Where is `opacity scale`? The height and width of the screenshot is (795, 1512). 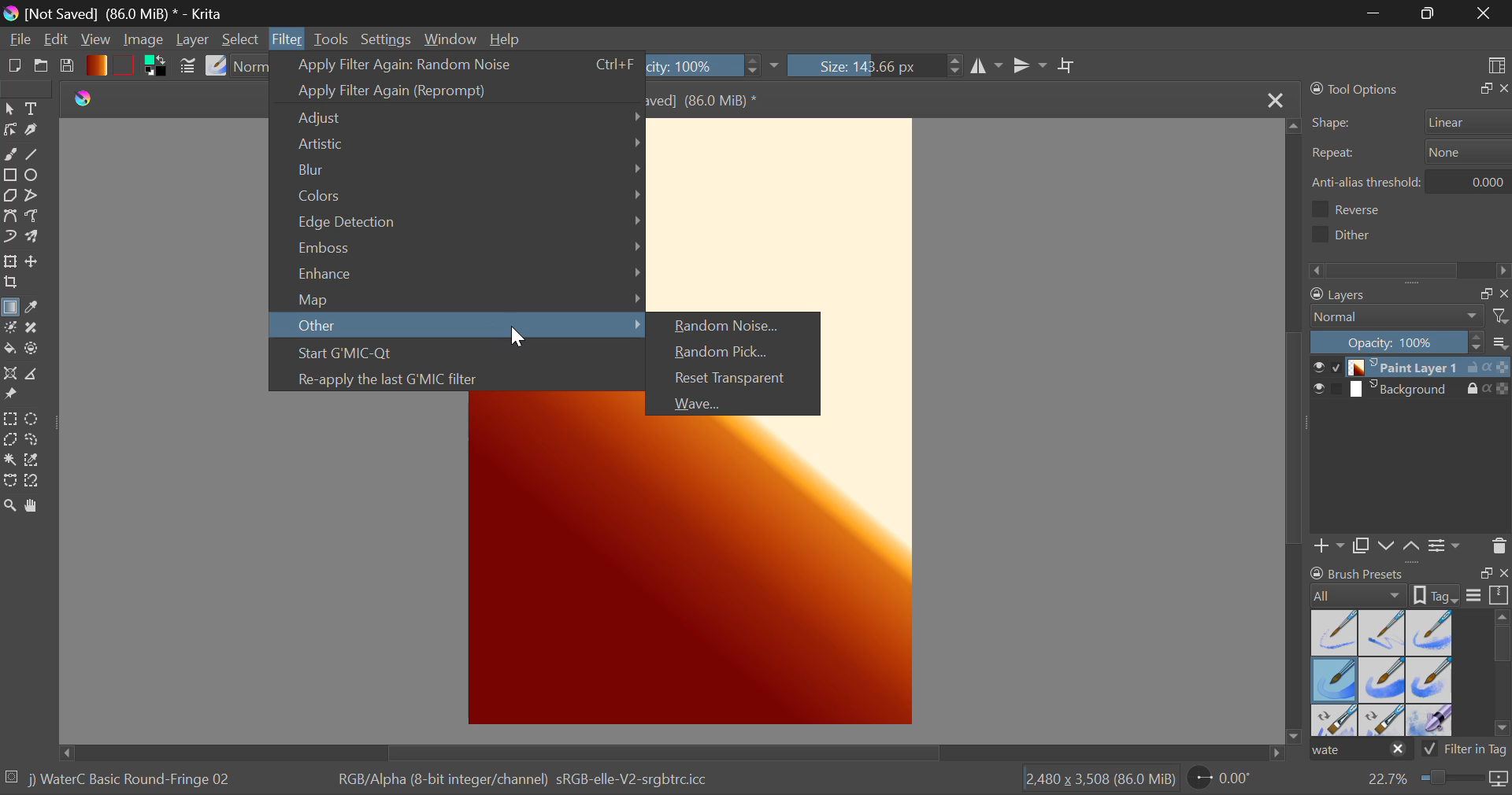 opacity scale is located at coordinates (1397, 342).